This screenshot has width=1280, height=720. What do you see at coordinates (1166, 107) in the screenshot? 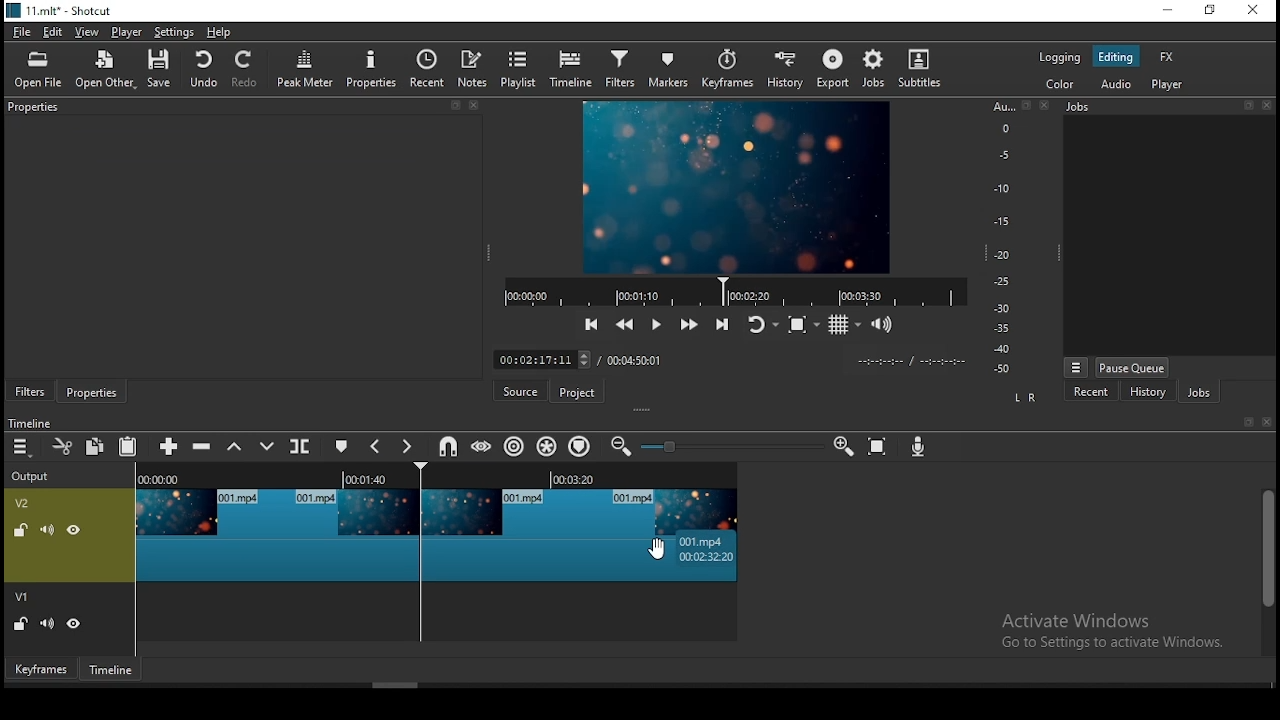
I see `JOBS` at bounding box center [1166, 107].